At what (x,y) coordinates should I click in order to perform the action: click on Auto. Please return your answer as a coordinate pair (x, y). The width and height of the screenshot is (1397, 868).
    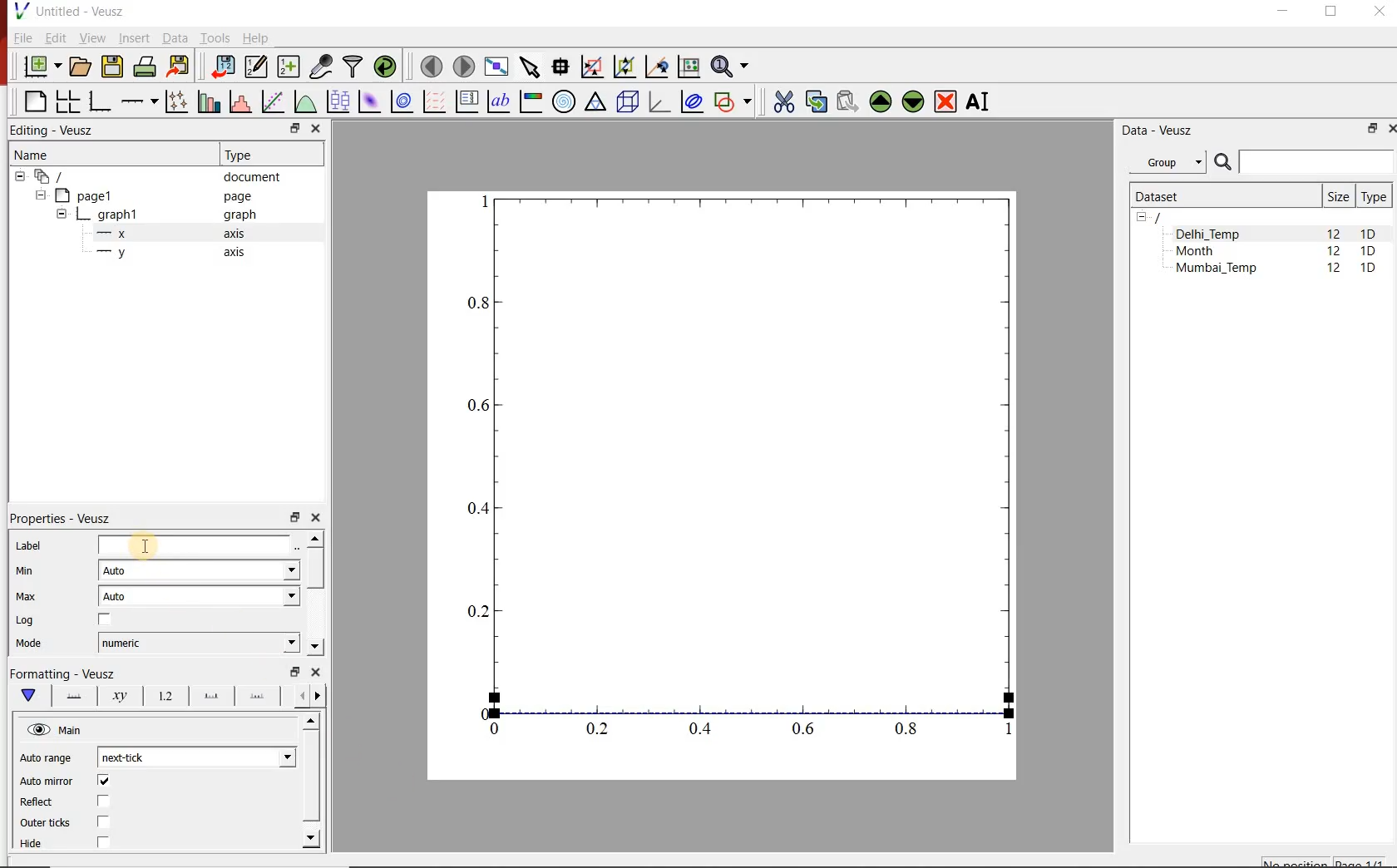
    Looking at the image, I should click on (199, 596).